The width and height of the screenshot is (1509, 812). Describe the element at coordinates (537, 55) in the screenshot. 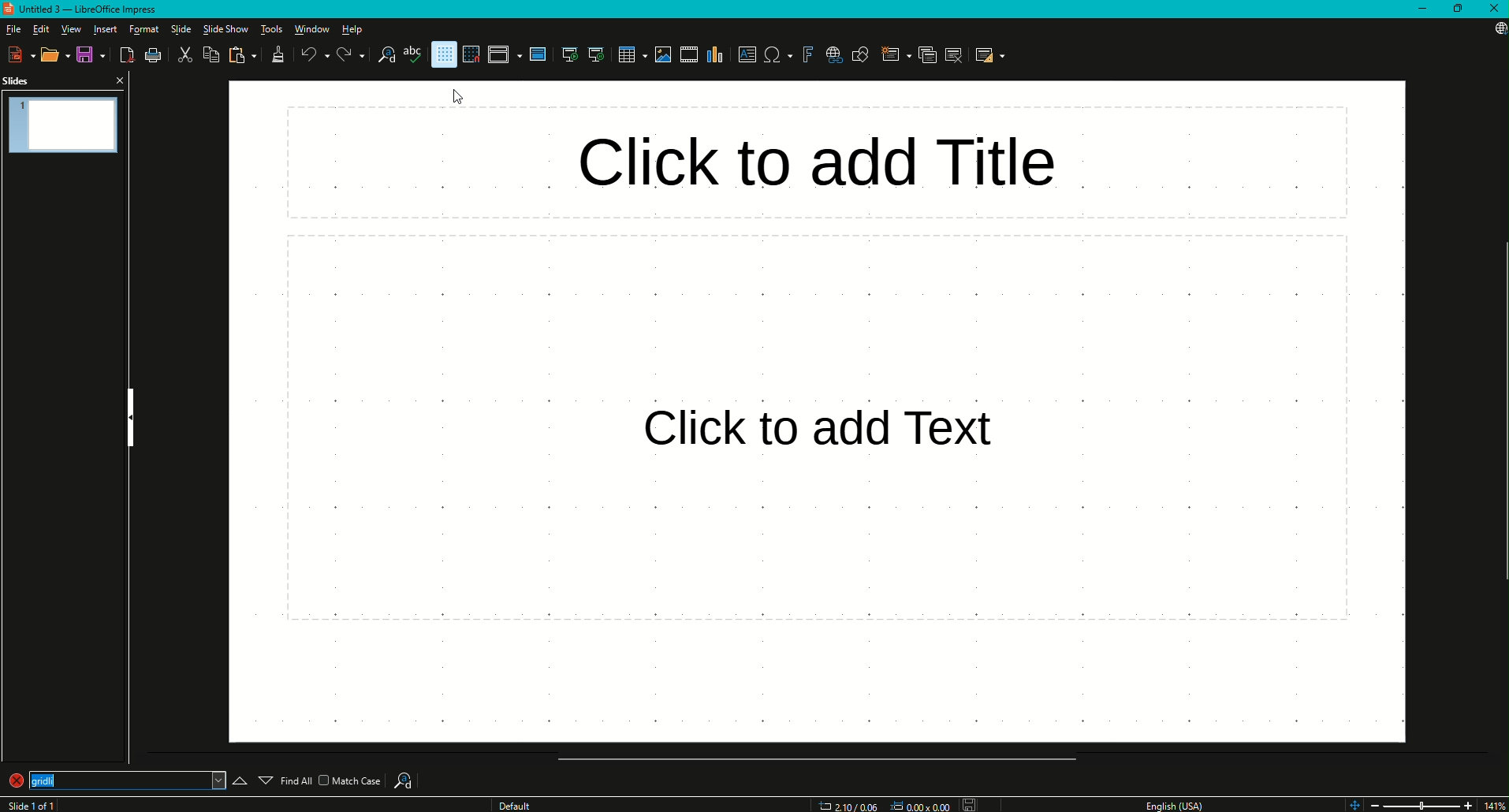

I see `Master slide` at that location.